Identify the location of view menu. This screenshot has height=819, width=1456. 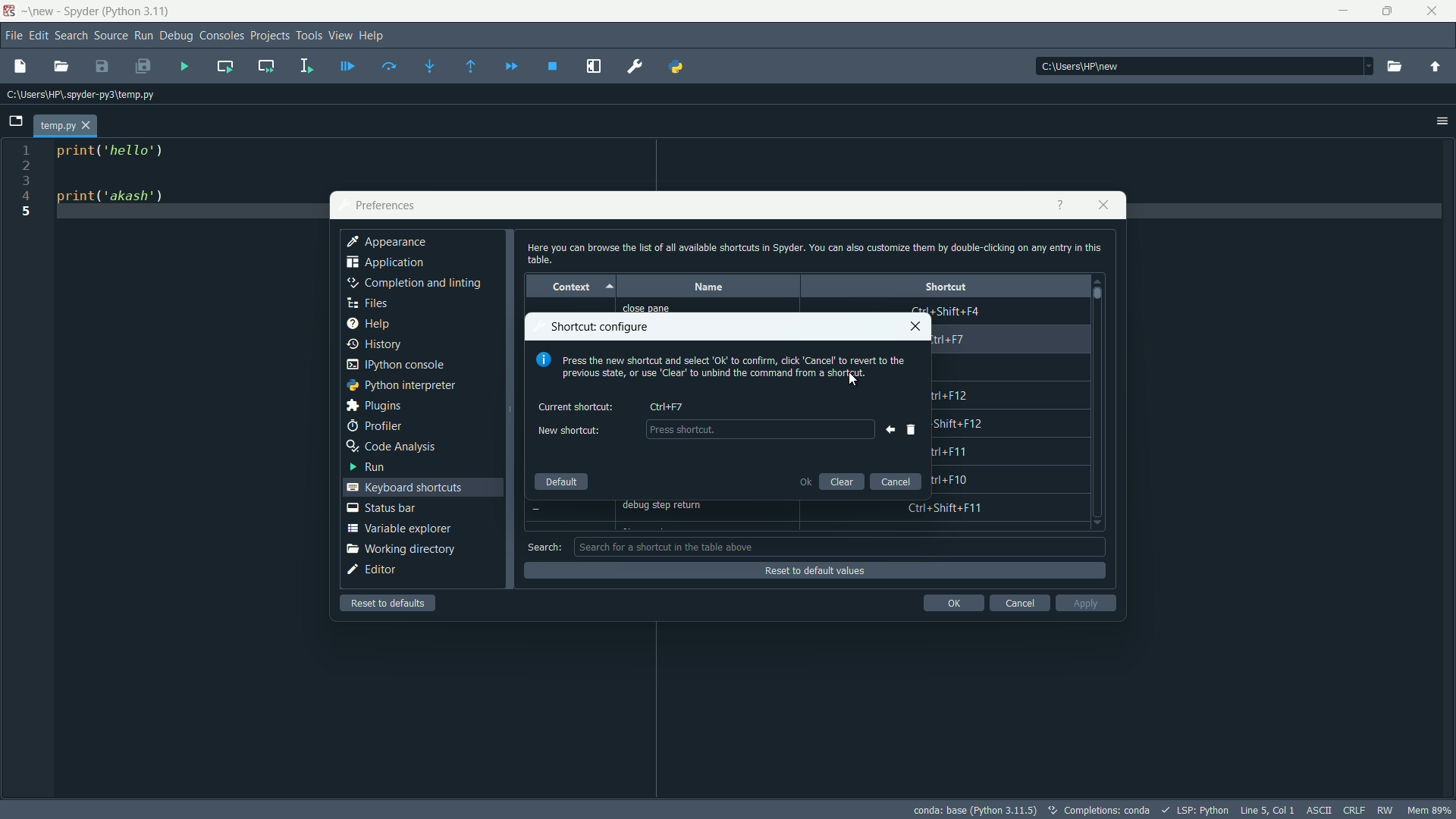
(341, 35).